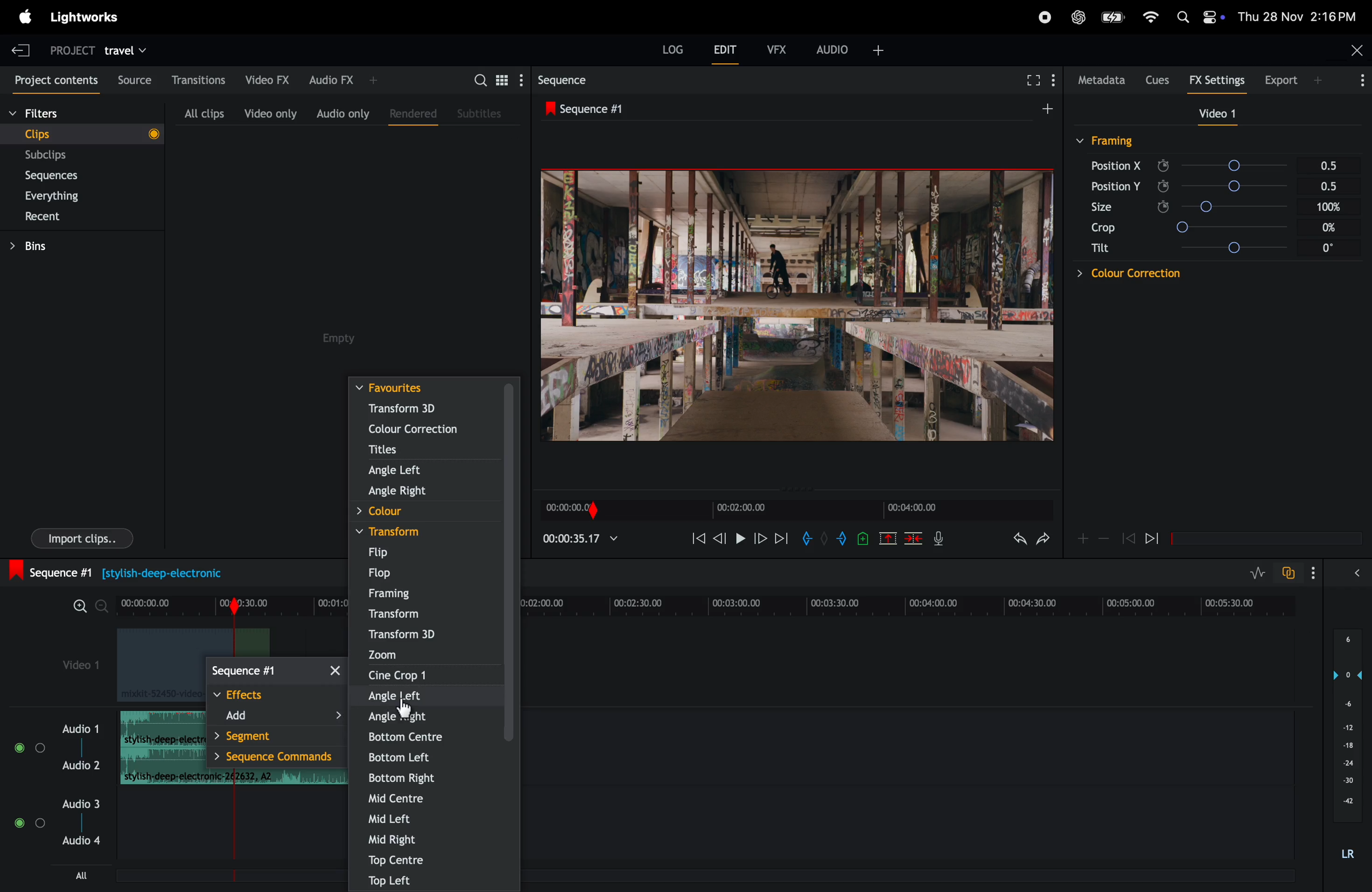 This screenshot has height=892, width=1372. I want to click on time frame, so click(904, 607).